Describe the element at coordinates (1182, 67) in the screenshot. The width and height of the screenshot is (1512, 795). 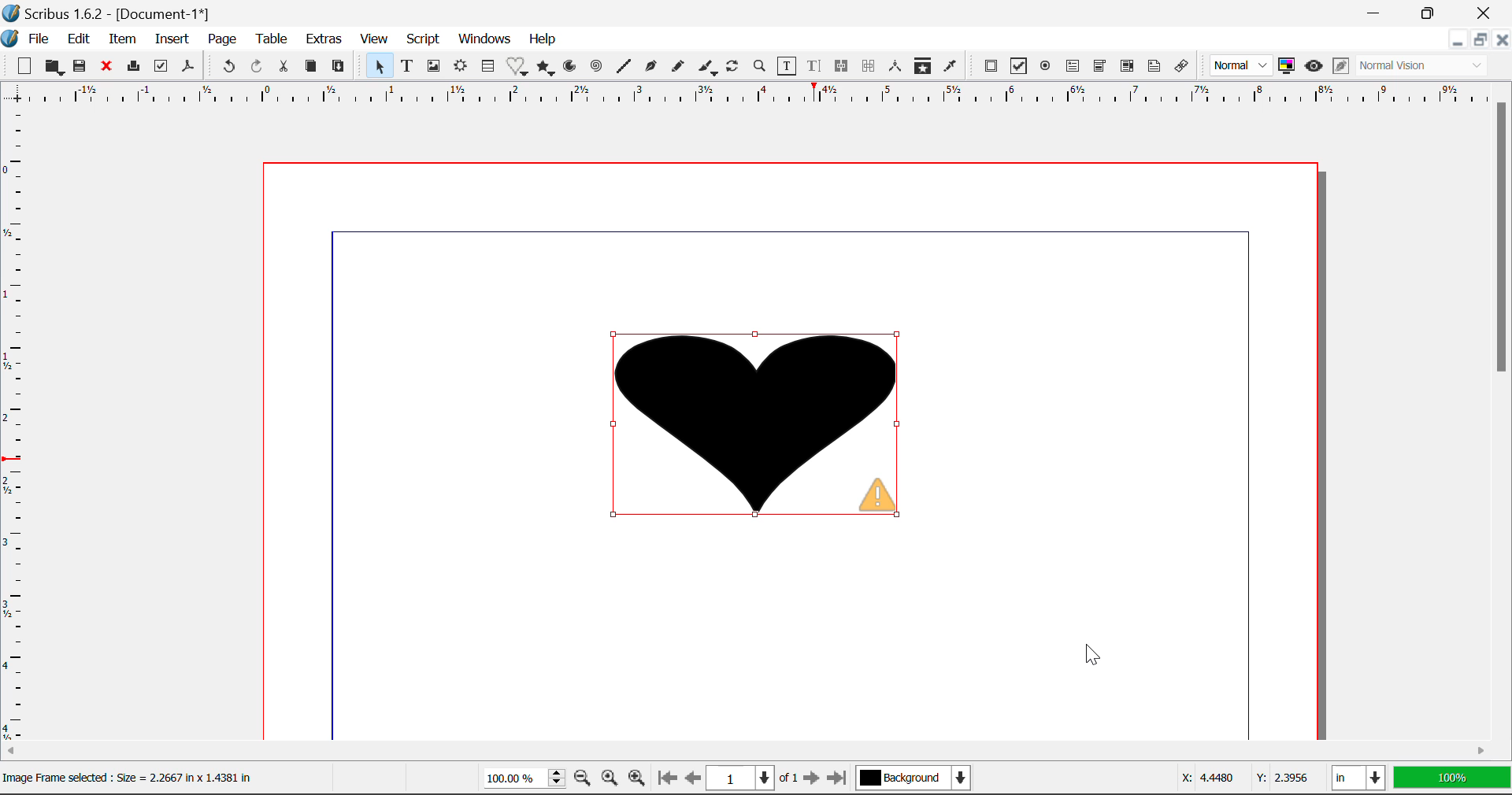
I see `Link Annotation` at that location.